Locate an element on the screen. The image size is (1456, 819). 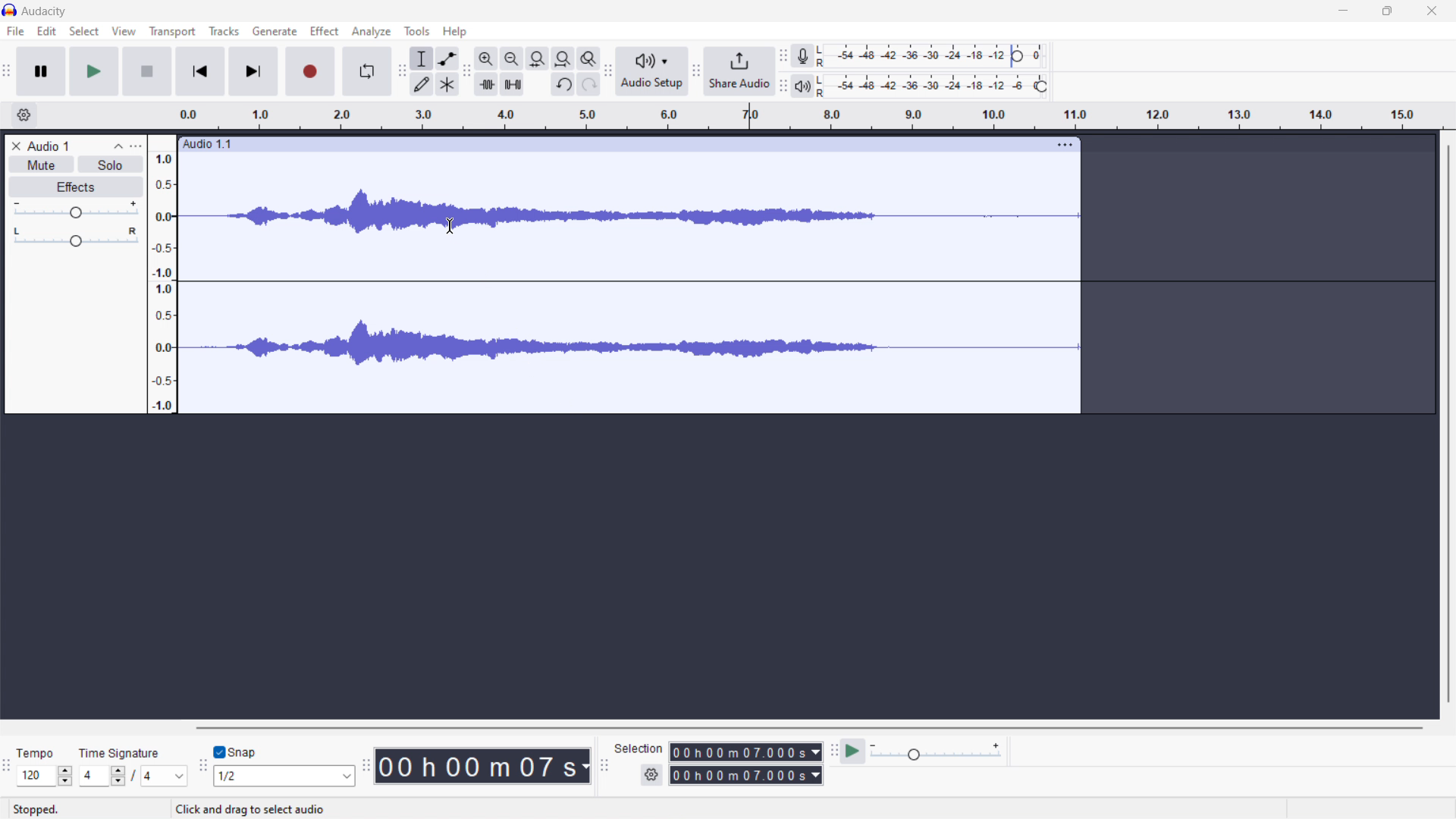
play at speed is located at coordinates (853, 752).